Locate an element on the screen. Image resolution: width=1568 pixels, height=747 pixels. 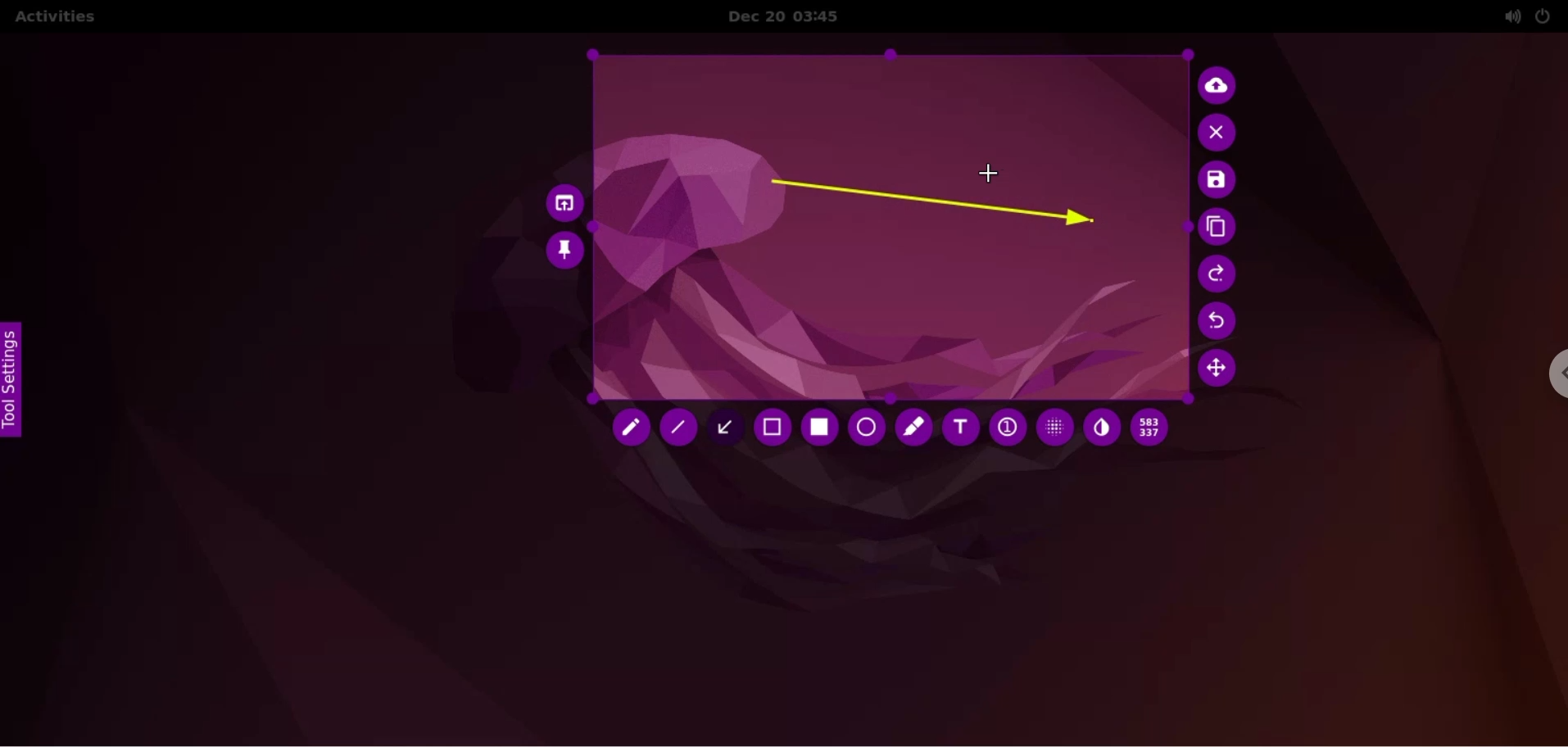
pin is located at coordinates (565, 250).